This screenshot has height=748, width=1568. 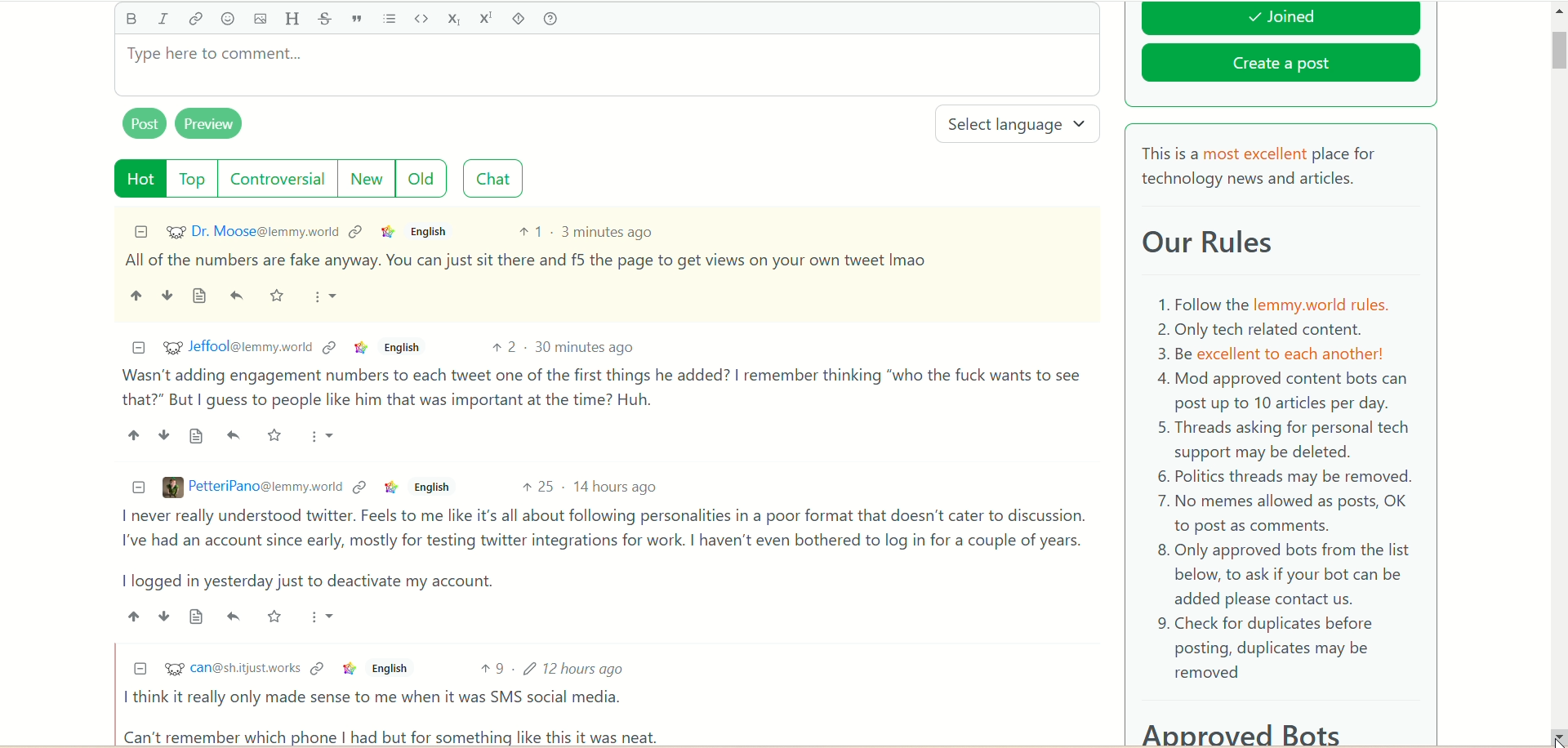 I want to click on | never really understood twitter. Feels to me like it’s all about following personalities in a poor format that doesn’t cater to discussion.
I've had an account since early, mostly for testing twitter integrations for work. I haven't even bothered to log in for a couple of years.
I logged in yesterday just to deactivate my account., so click(x=598, y=550).